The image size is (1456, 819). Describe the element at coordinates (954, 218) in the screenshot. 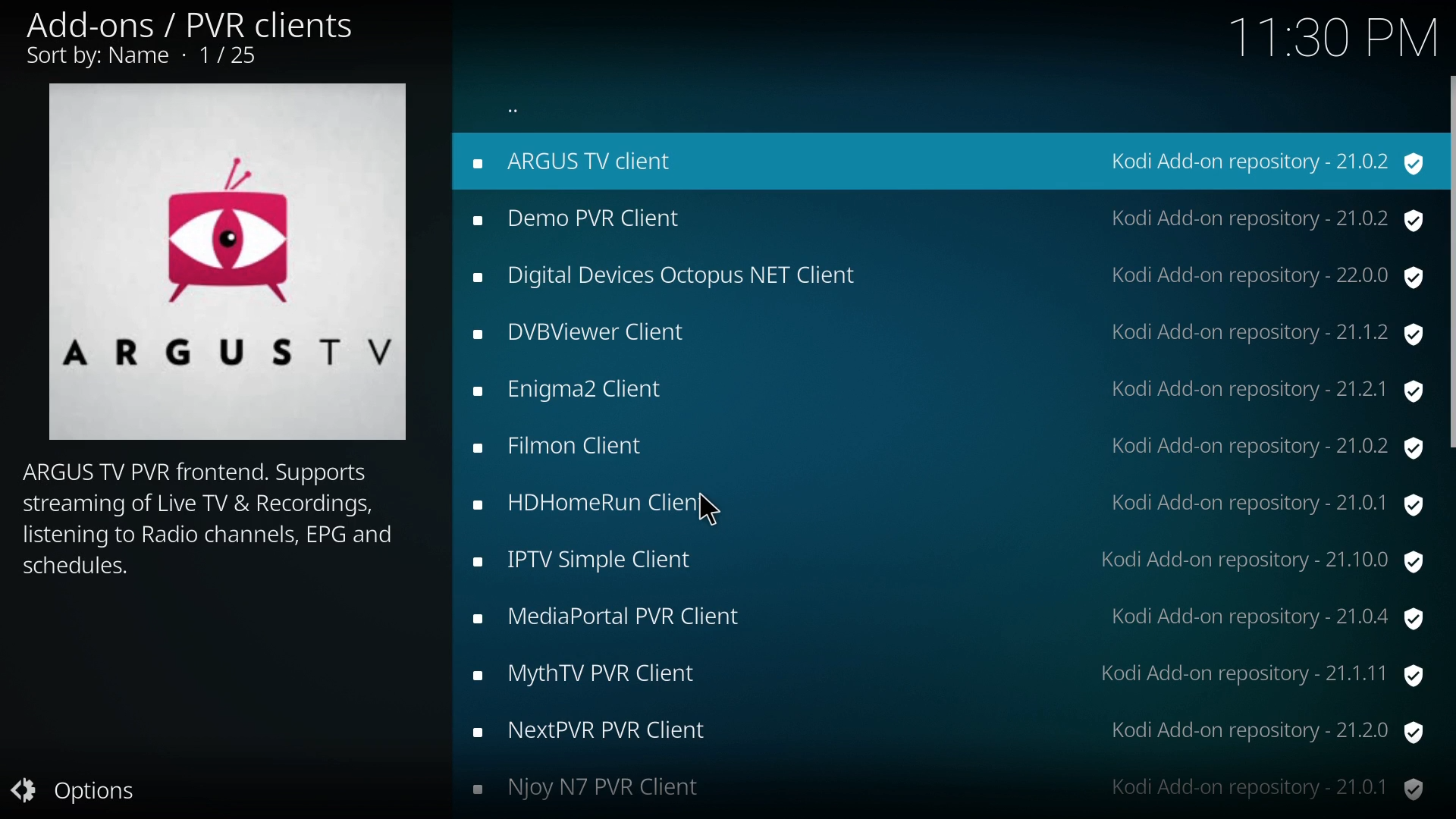

I see `Demo PVR Client Kodi Add-on repository - 21.0.2` at that location.